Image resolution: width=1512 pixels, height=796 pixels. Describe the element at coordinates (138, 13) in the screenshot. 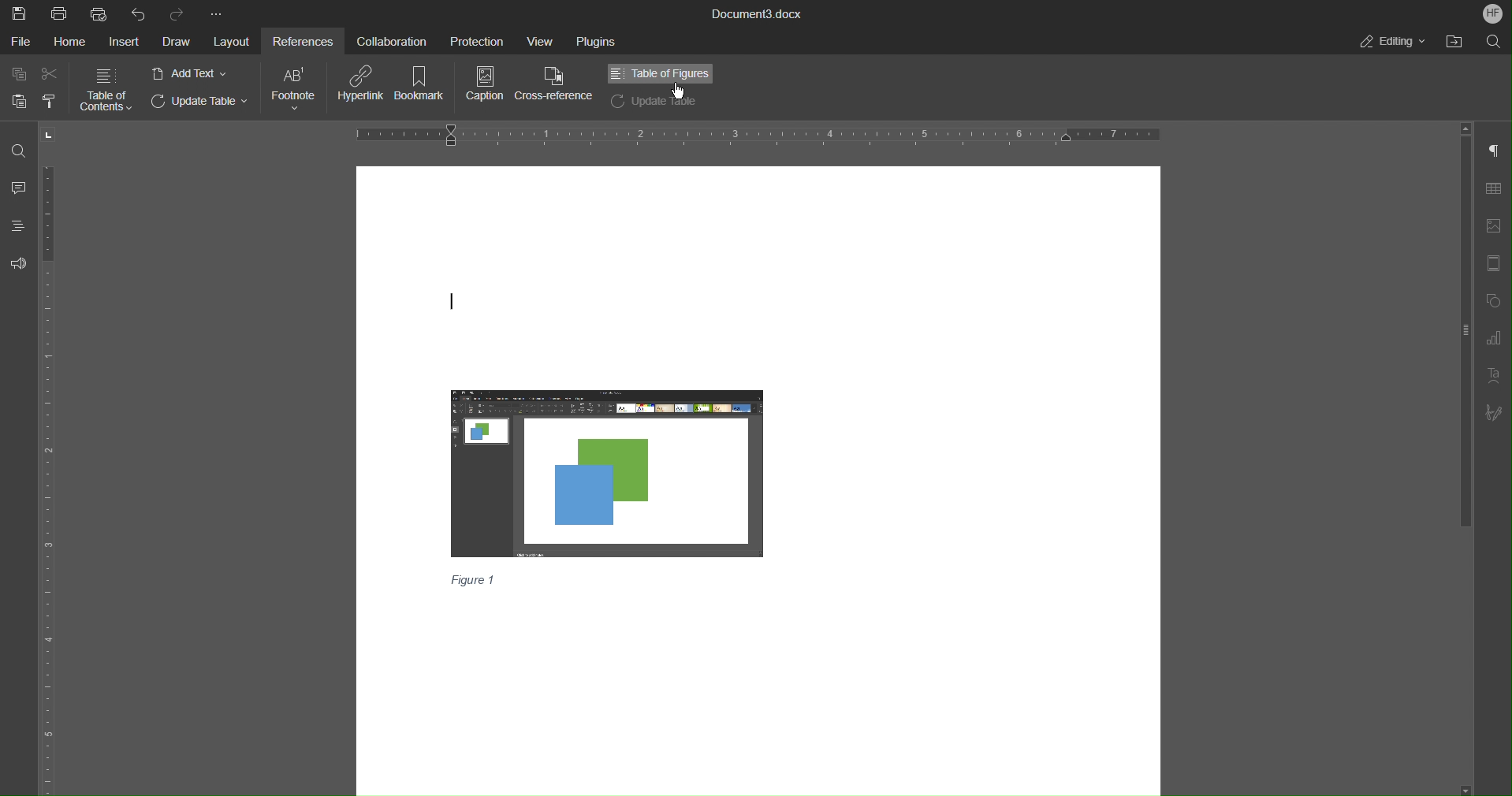

I see `Undo` at that location.